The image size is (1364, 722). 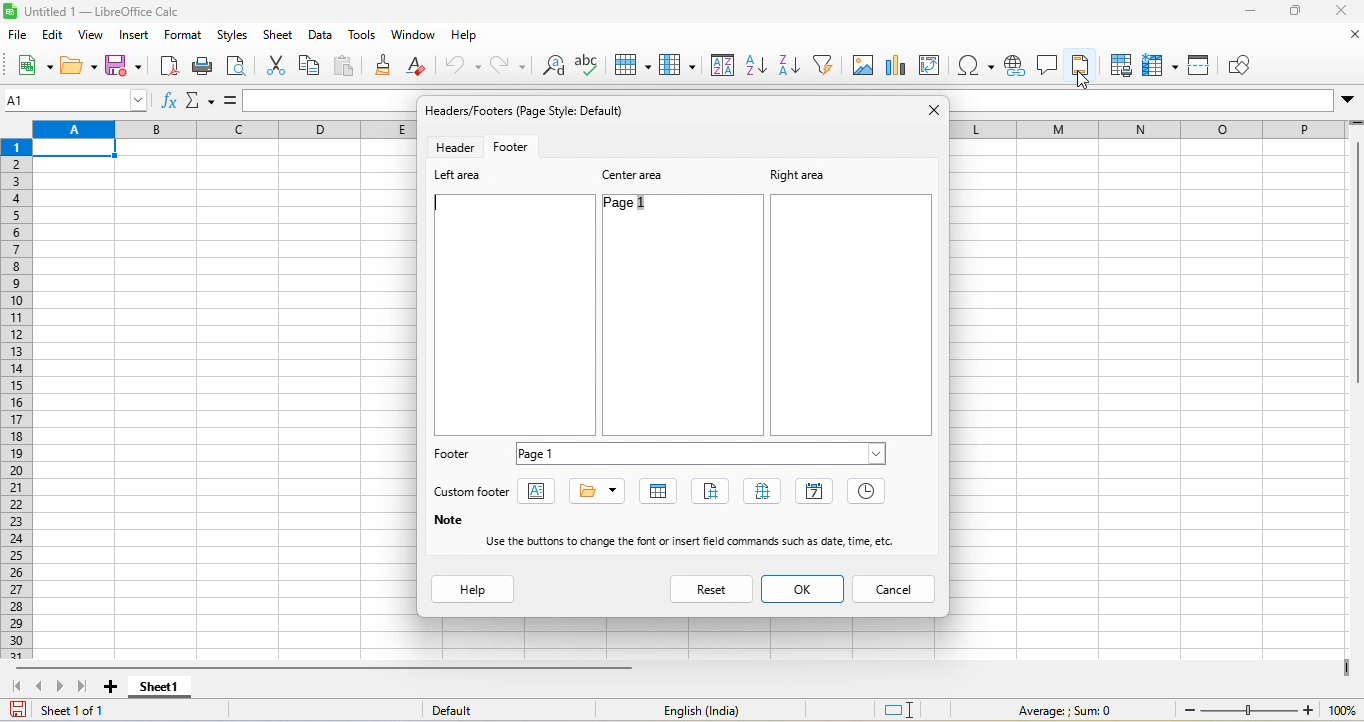 What do you see at coordinates (1355, 265) in the screenshot?
I see `vertical scroll bar` at bounding box center [1355, 265].